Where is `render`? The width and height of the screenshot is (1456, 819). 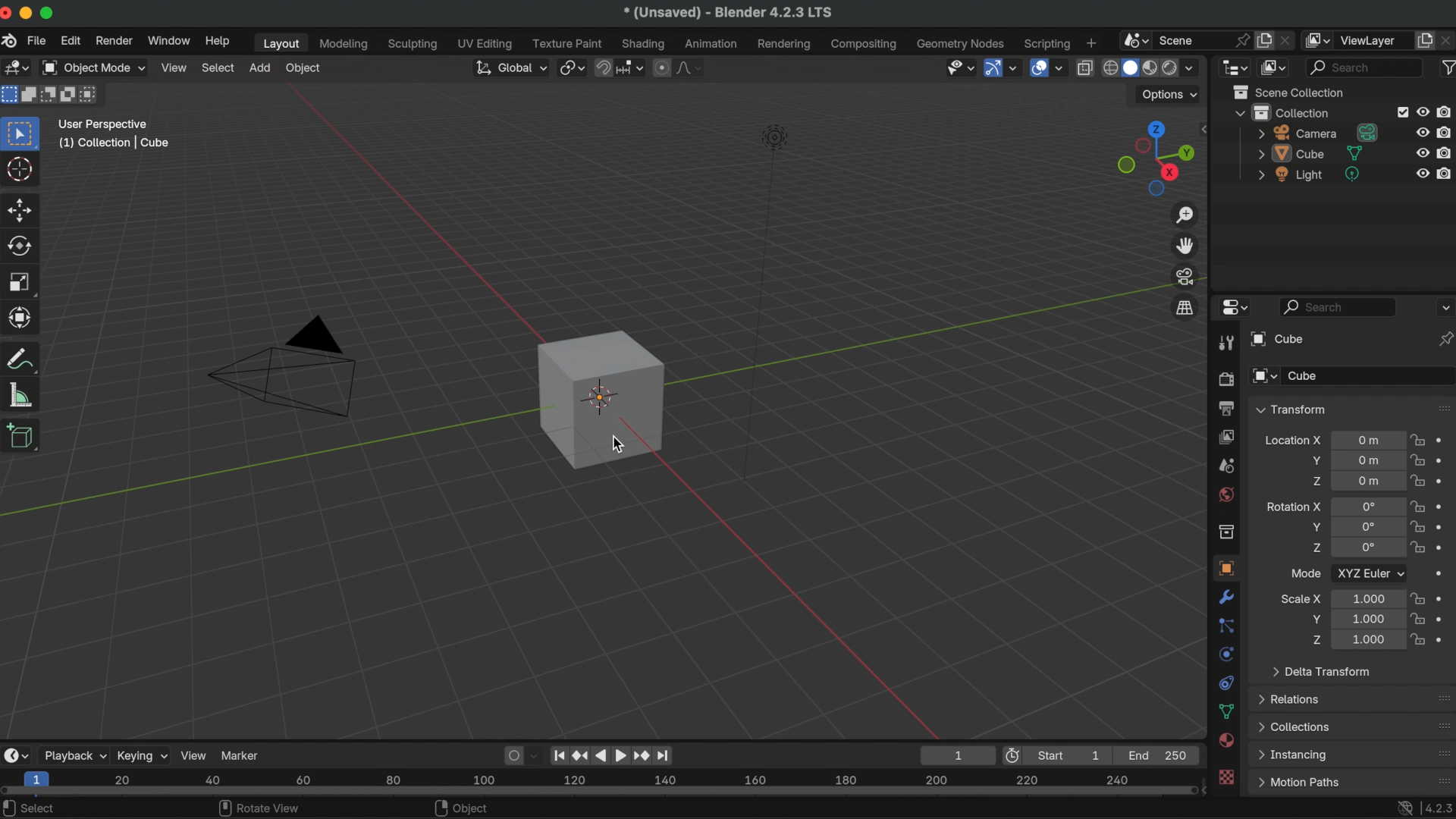
render is located at coordinates (112, 41).